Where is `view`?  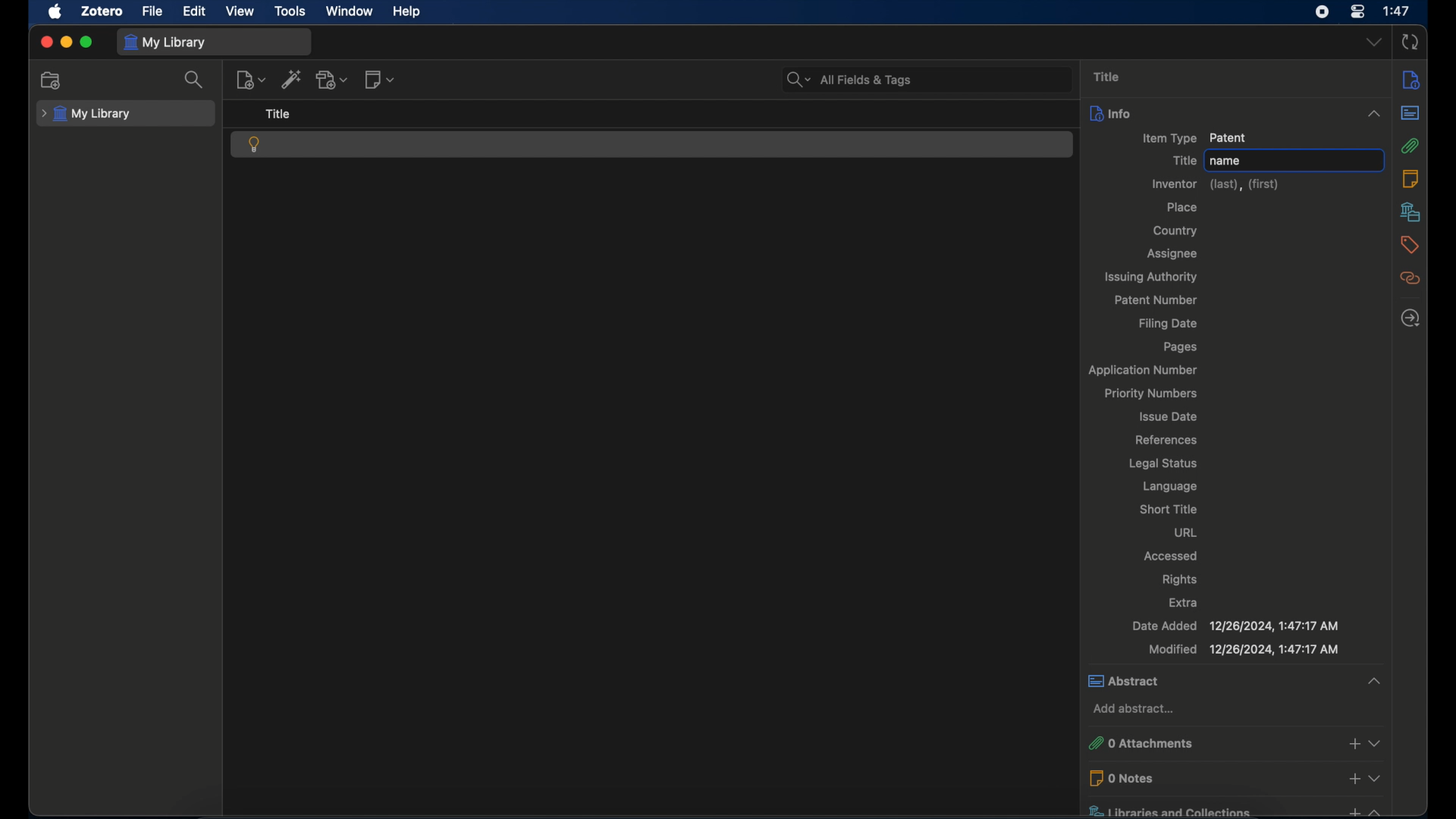
view is located at coordinates (241, 11).